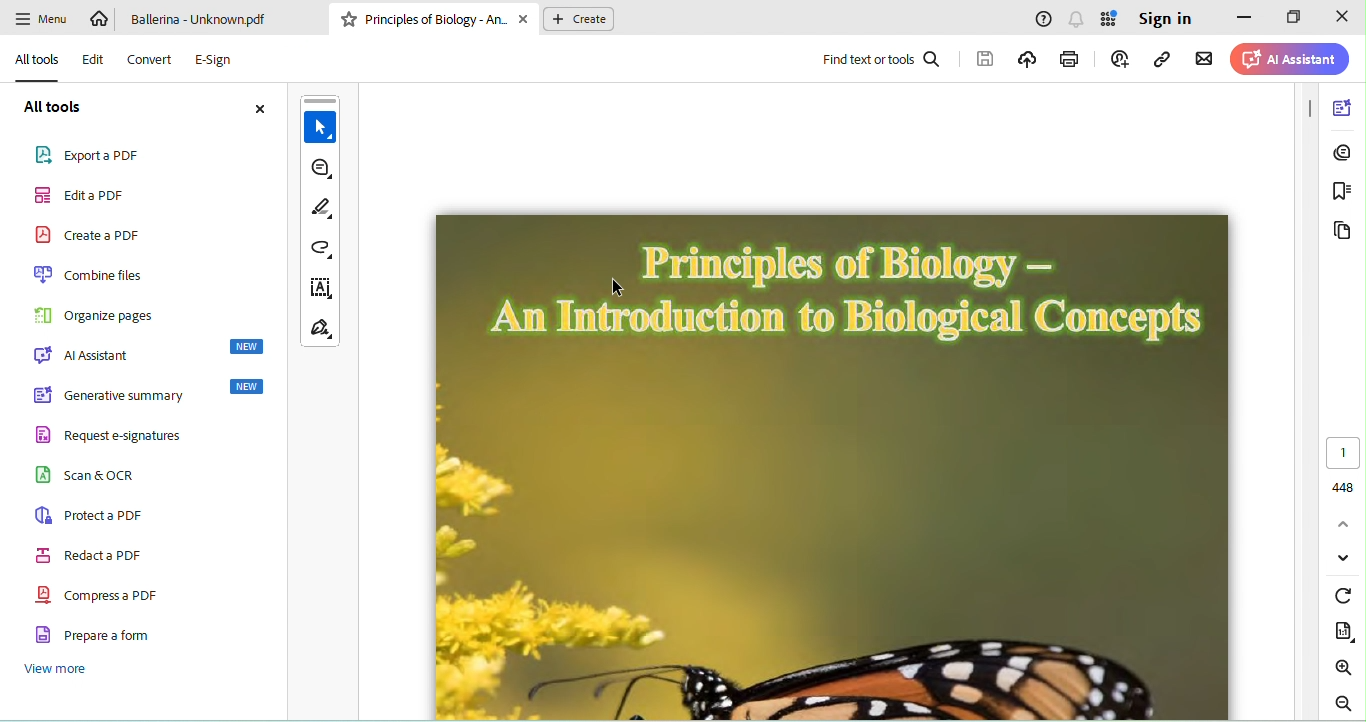 The image size is (1366, 722). Describe the element at coordinates (103, 594) in the screenshot. I see `compress a pdf` at that location.